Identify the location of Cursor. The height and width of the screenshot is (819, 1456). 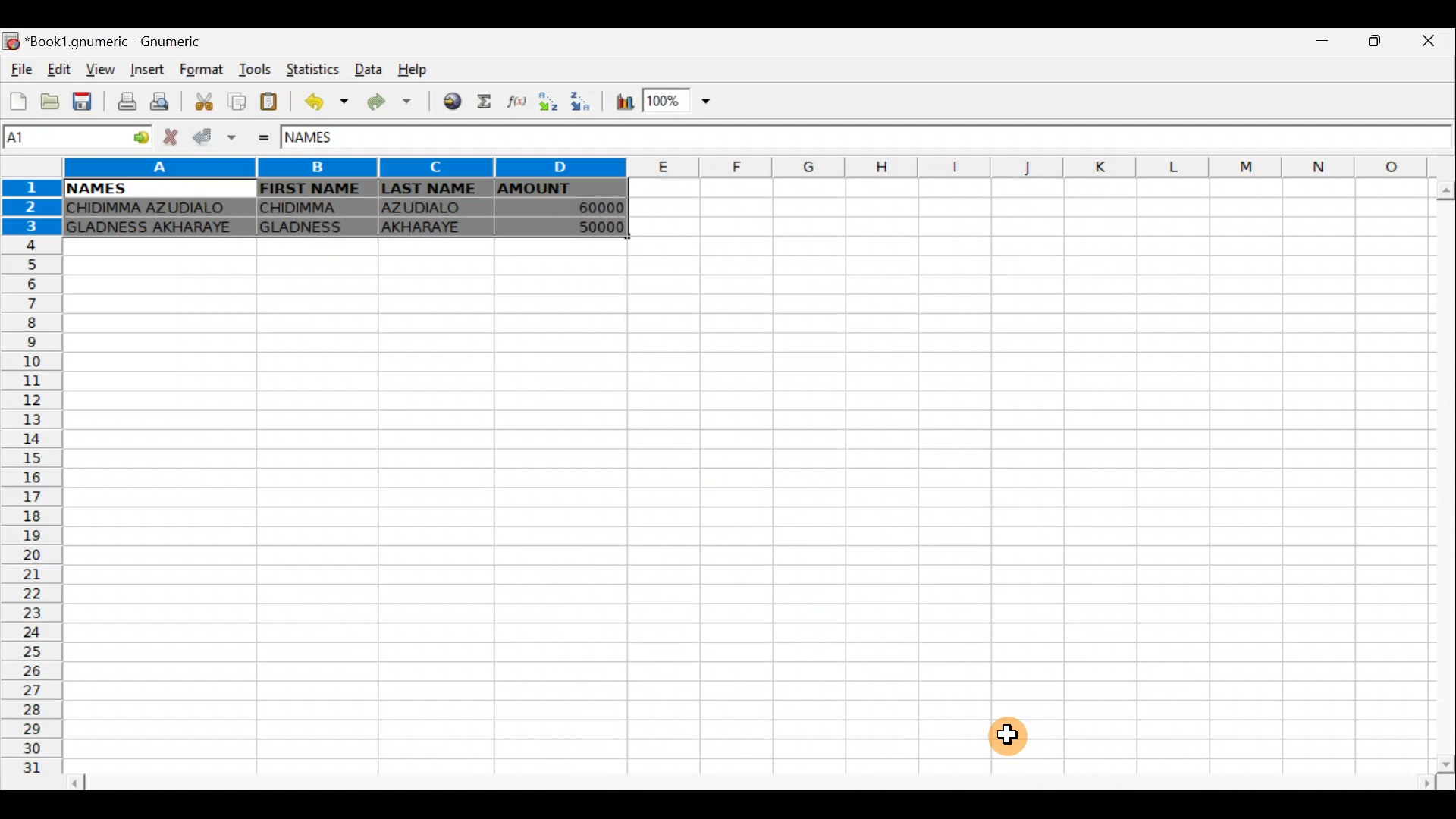
(1018, 730).